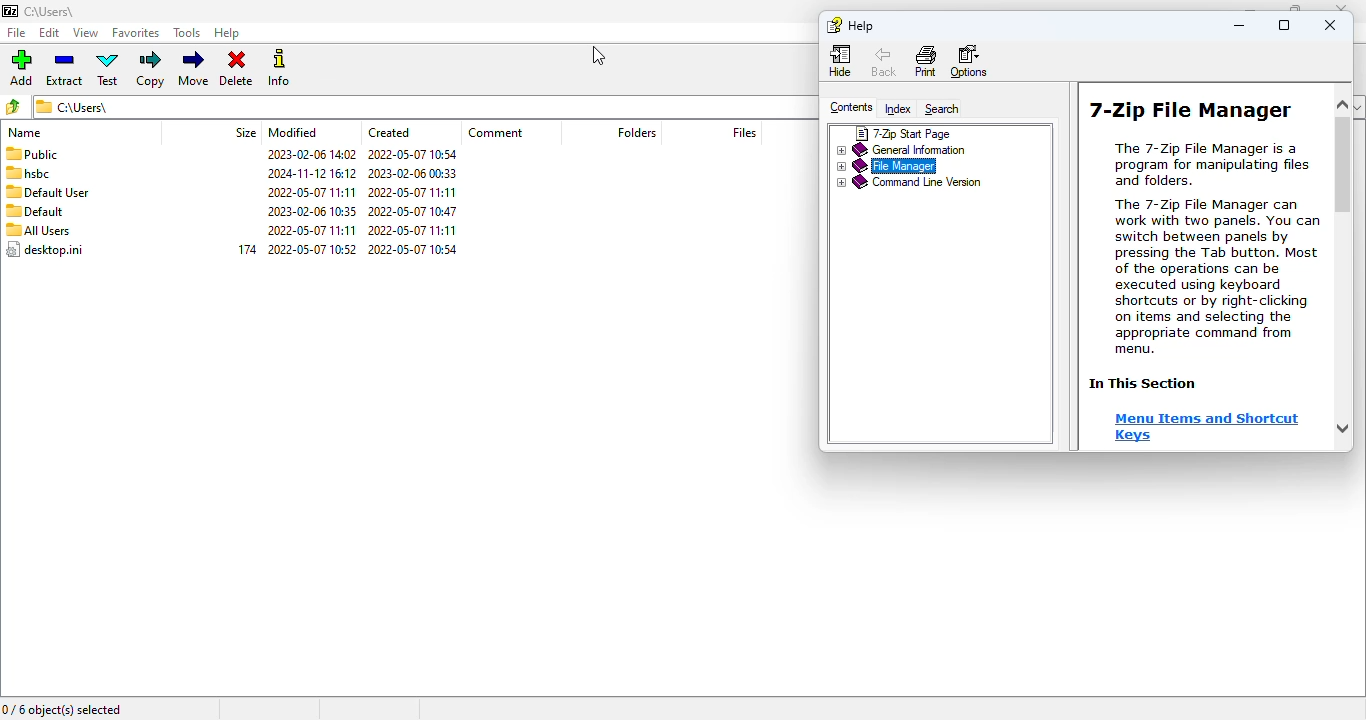  Describe the element at coordinates (942, 110) in the screenshot. I see `search` at that location.